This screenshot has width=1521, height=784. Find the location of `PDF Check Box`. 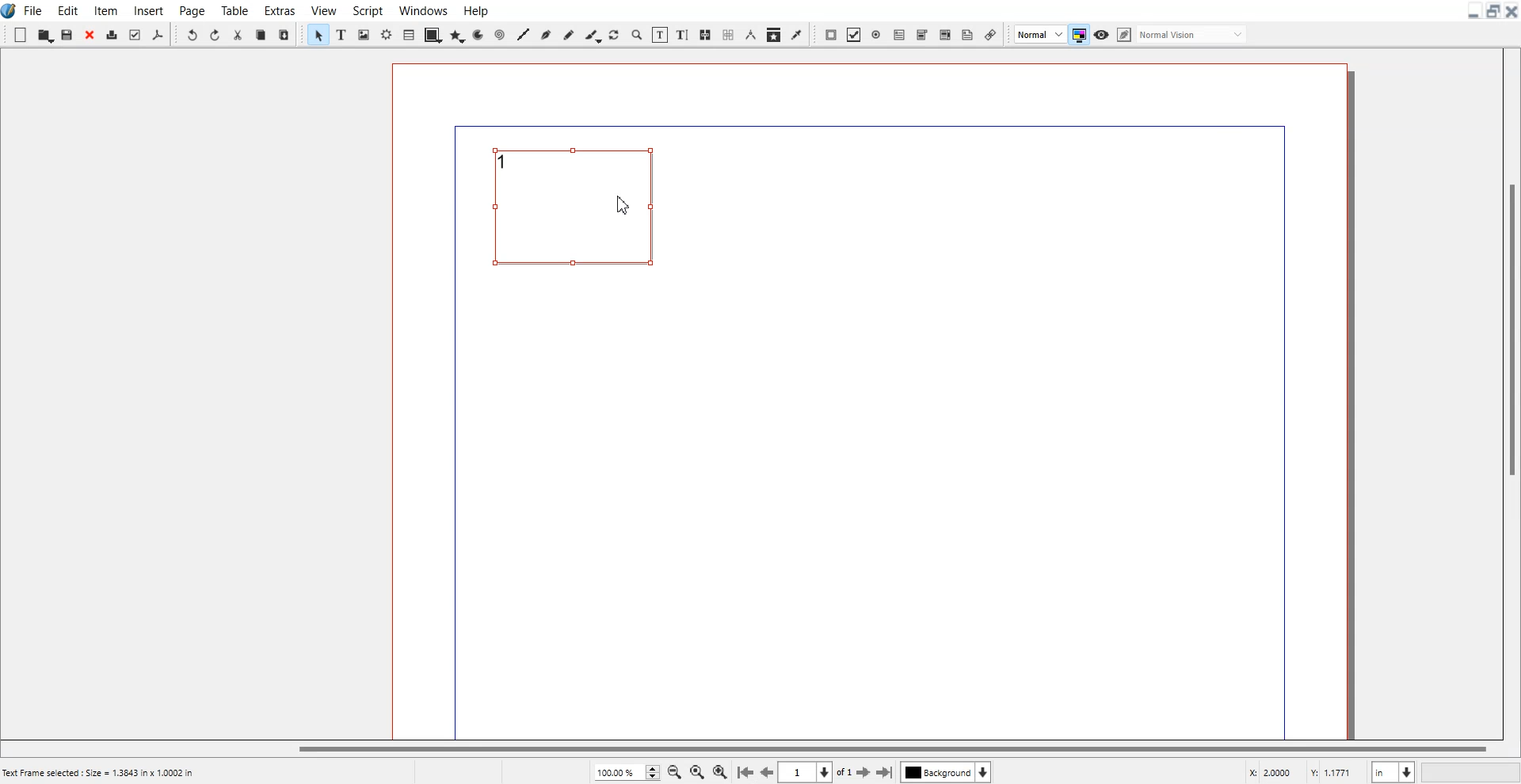

PDF Check Box is located at coordinates (855, 35).